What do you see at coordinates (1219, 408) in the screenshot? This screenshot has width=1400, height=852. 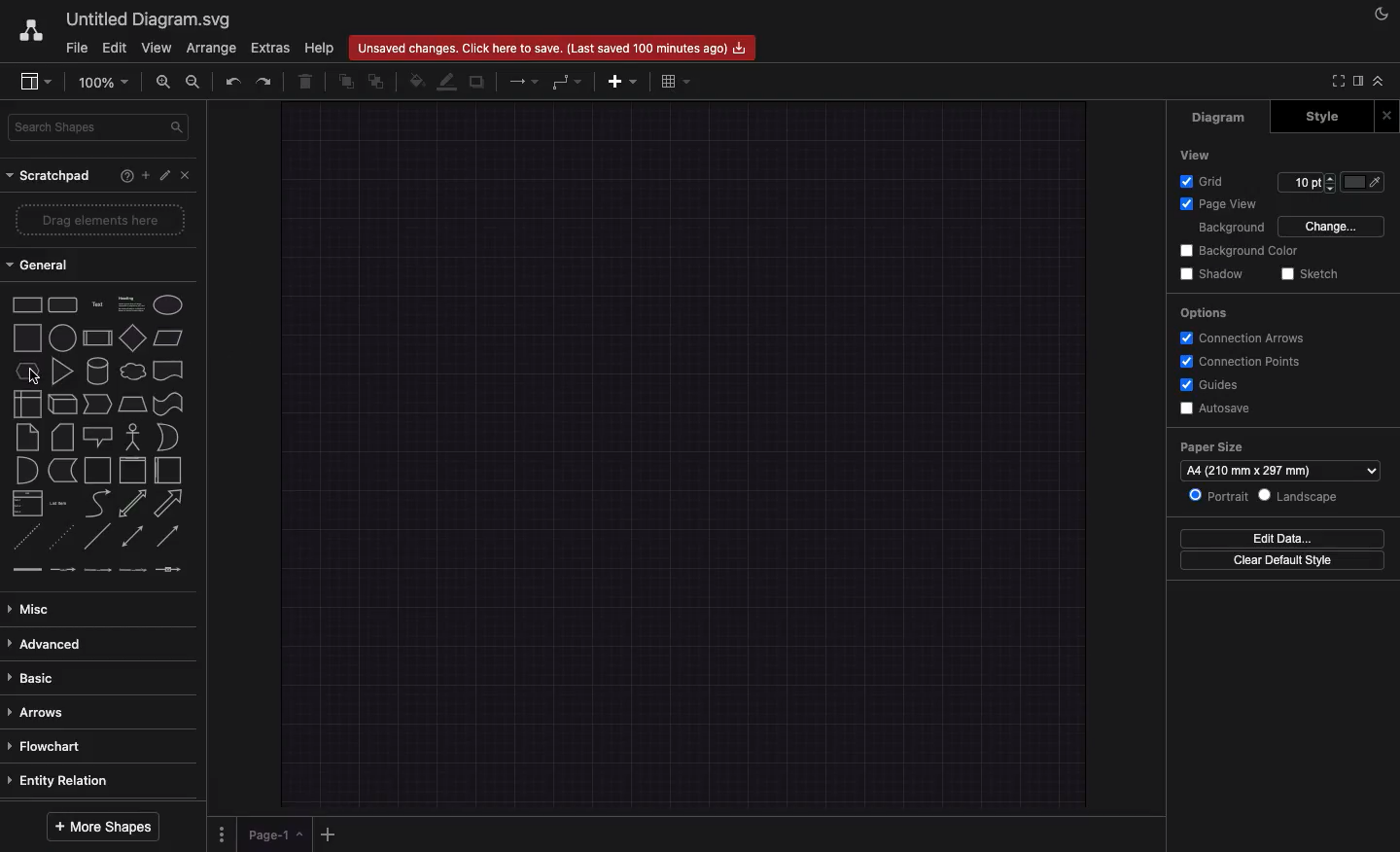 I see `Autosave` at bounding box center [1219, 408].